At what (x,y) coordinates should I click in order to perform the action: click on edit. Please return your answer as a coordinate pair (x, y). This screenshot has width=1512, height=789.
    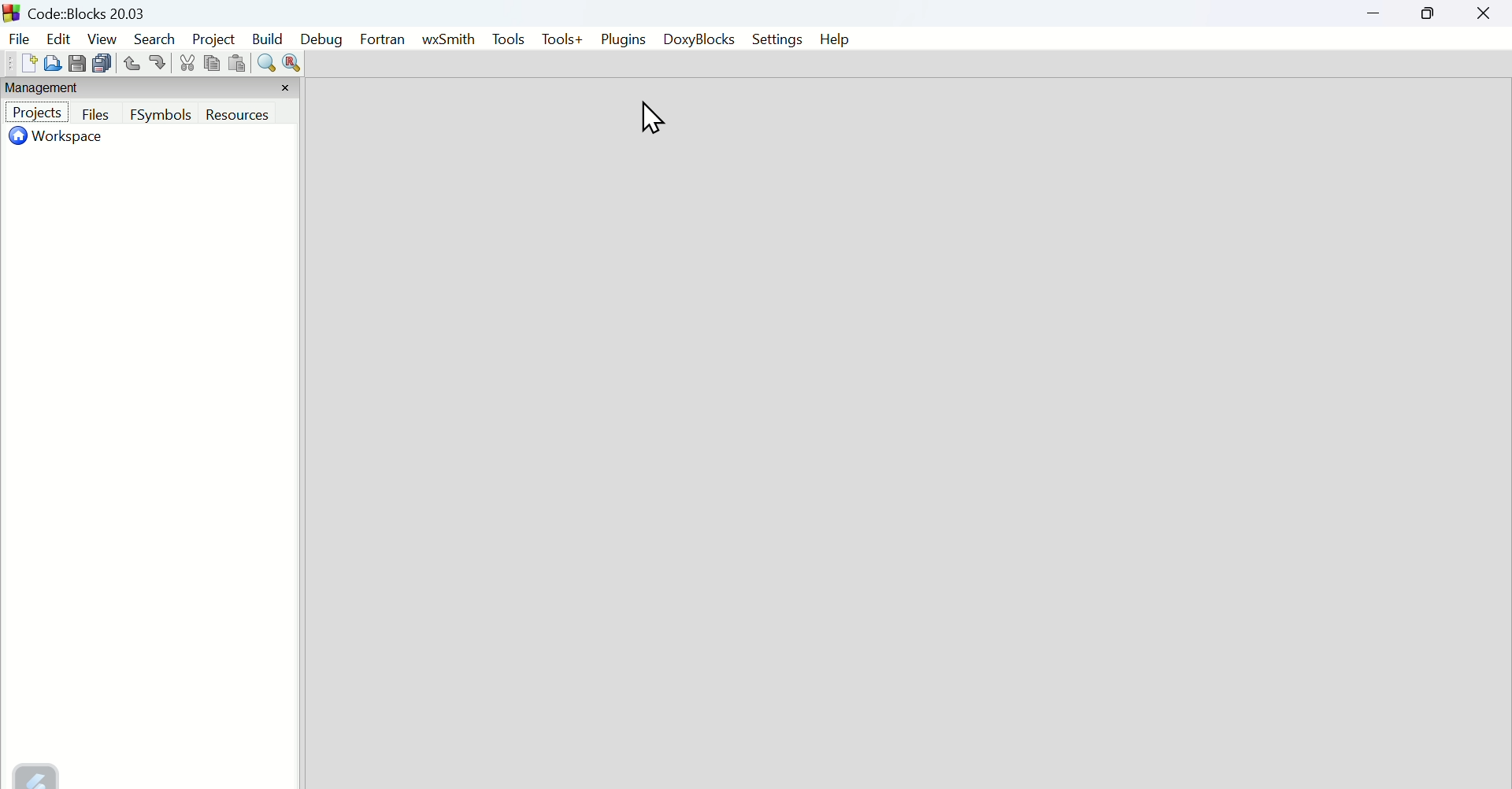
    Looking at the image, I should click on (57, 38).